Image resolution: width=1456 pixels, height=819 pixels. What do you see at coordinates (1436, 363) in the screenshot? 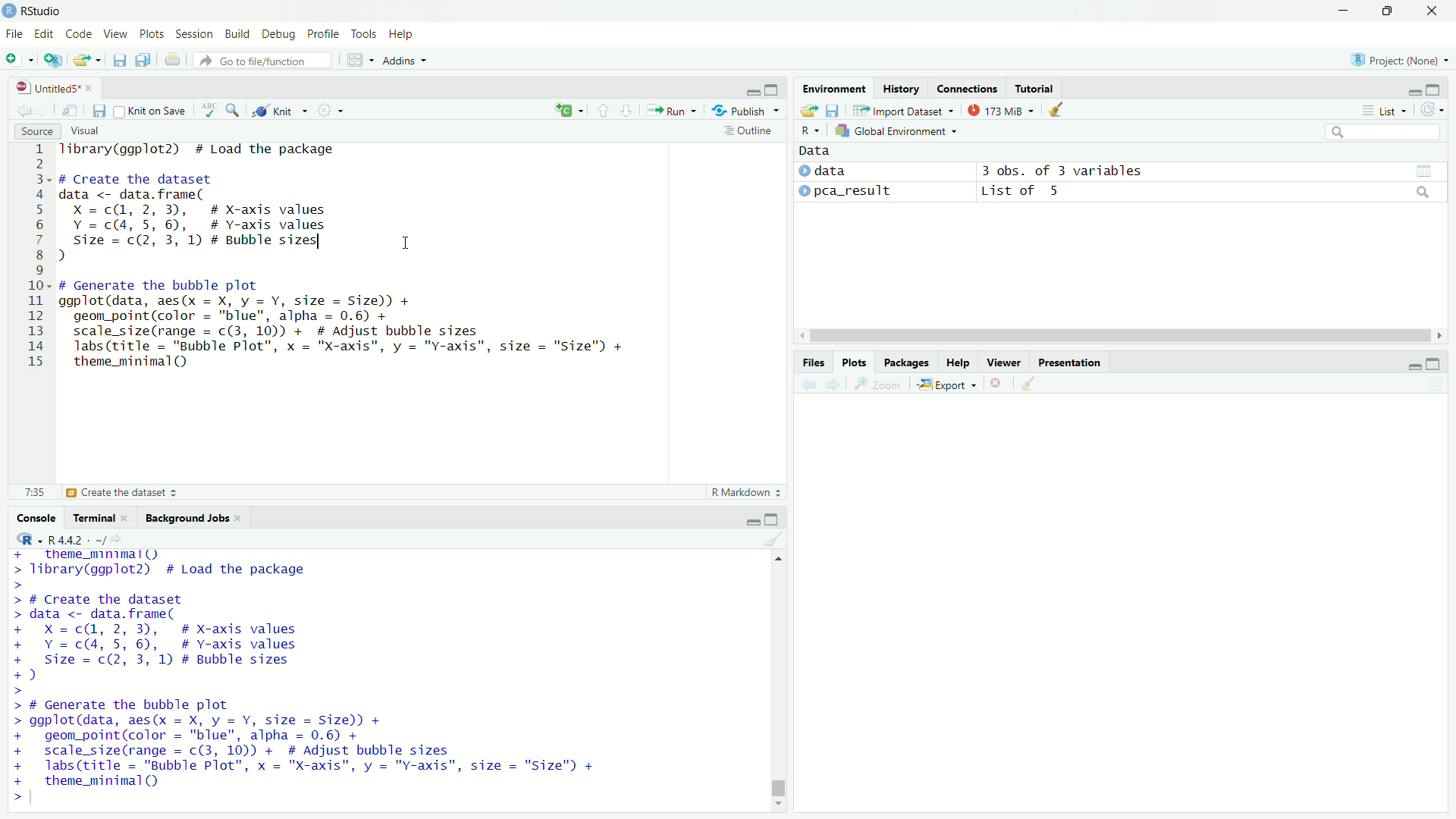
I see `maximize` at bounding box center [1436, 363].